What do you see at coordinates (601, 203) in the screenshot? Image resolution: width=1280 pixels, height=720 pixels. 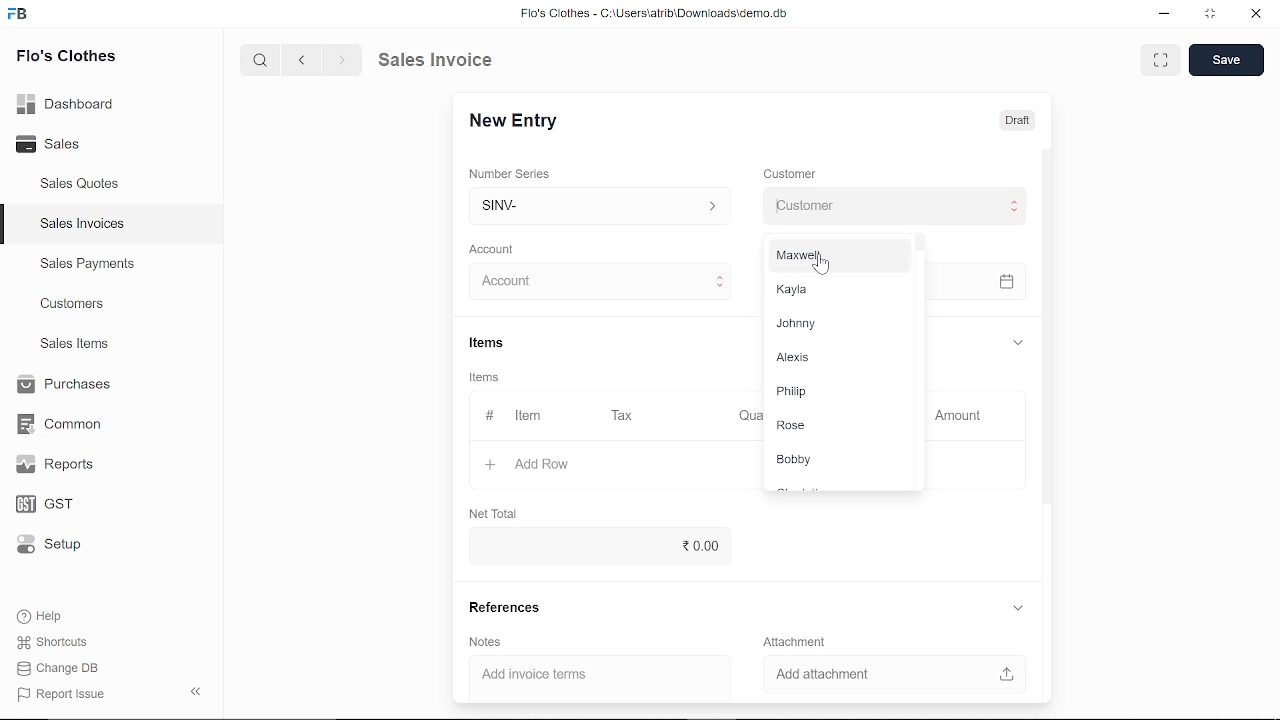 I see `Insert number series` at bounding box center [601, 203].